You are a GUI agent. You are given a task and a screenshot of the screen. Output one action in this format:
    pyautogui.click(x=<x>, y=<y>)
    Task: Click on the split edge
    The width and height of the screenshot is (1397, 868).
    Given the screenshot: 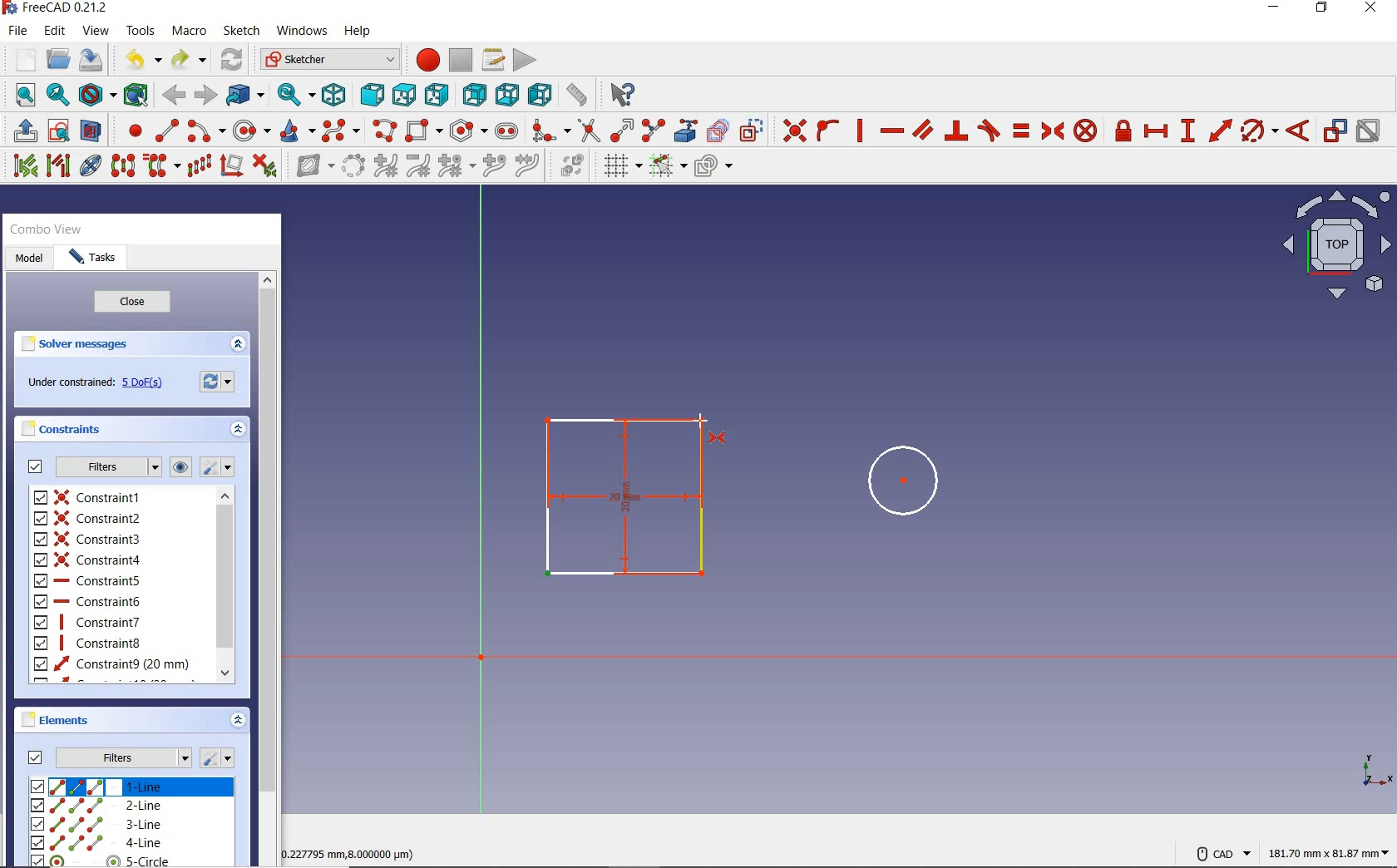 What is the action you would take?
    pyautogui.click(x=653, y=129)
    